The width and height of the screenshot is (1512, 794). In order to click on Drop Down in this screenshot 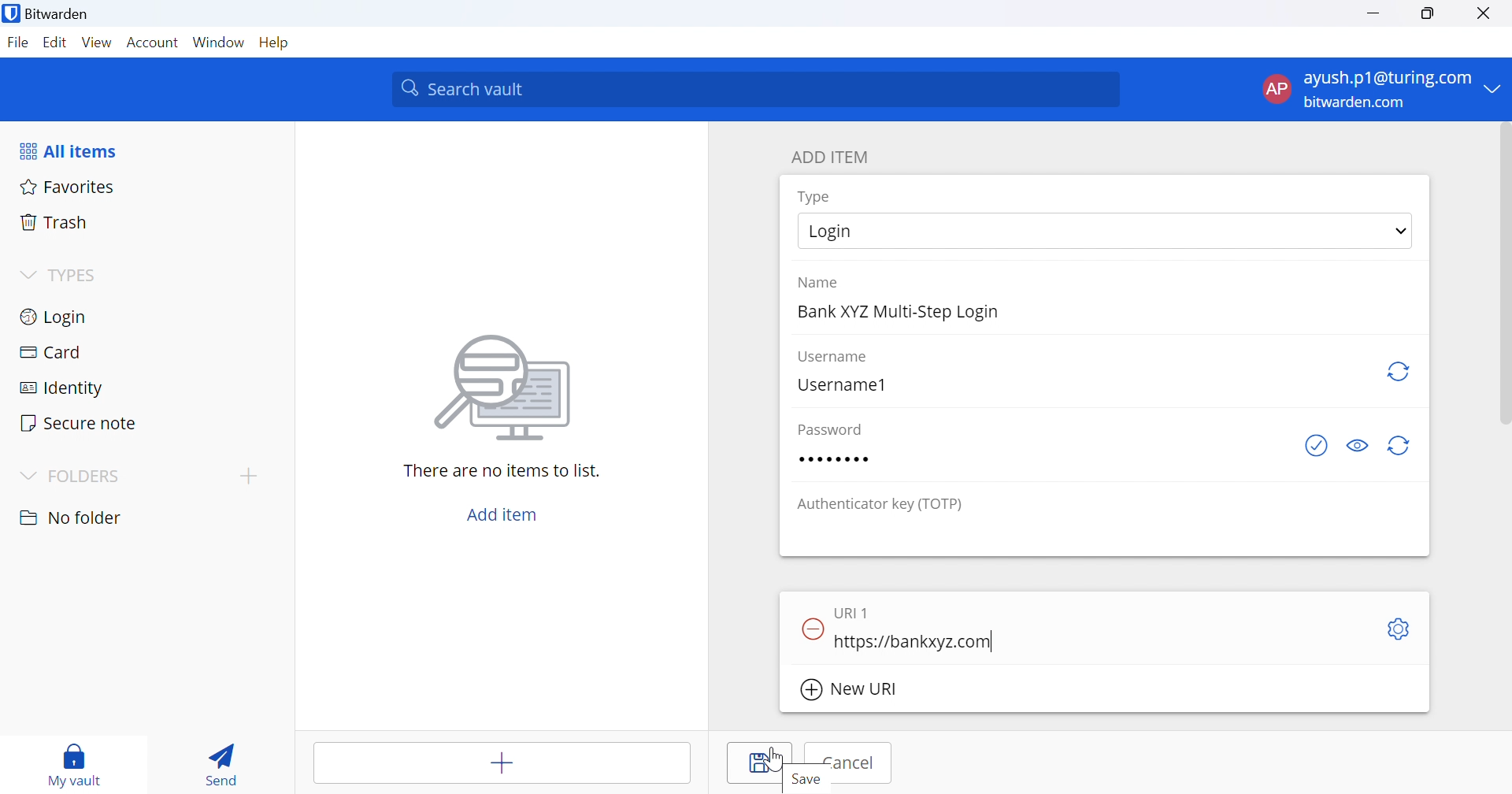, I will do `click(29, 475)`.